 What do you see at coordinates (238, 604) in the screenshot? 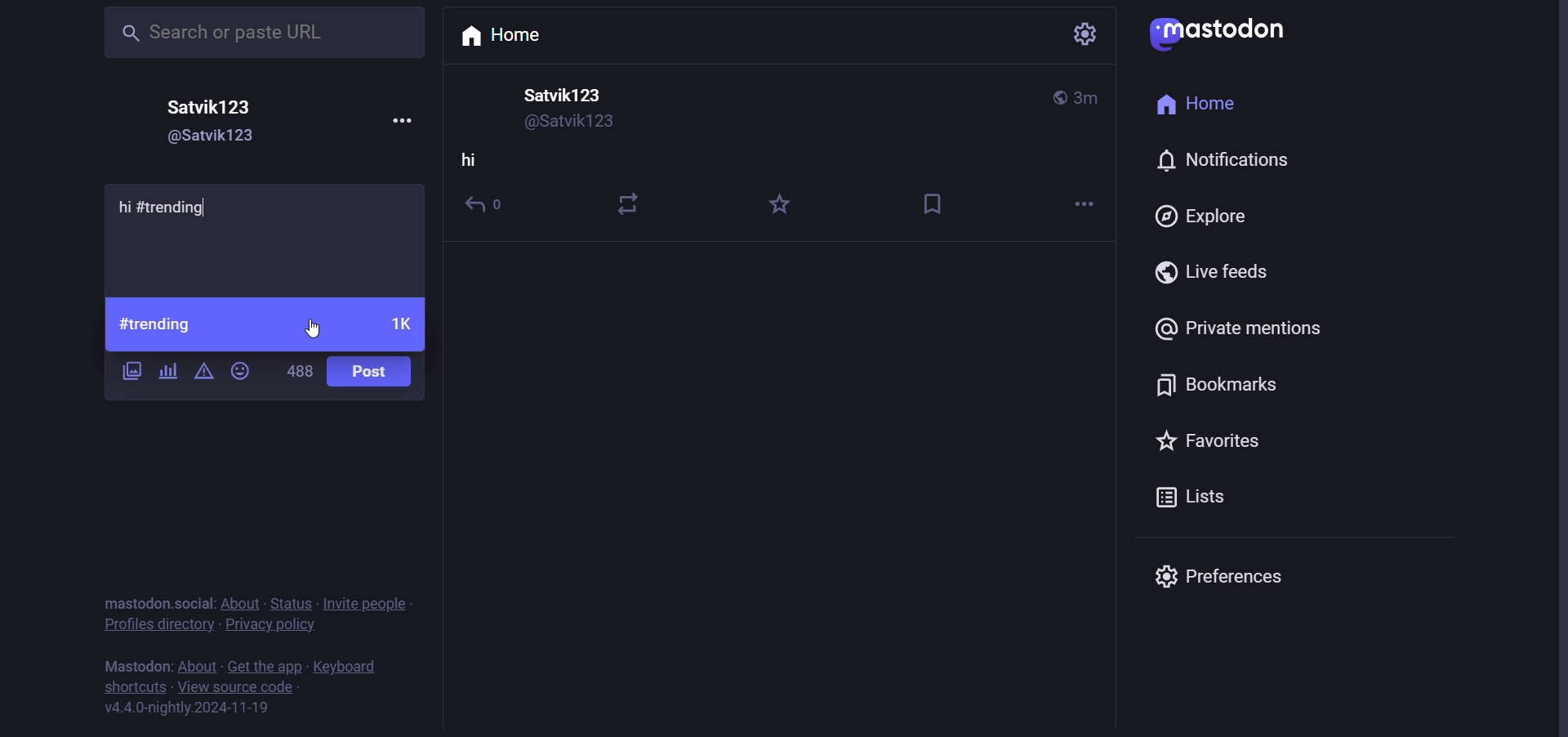
I see `about` at bounding box center [238, 604].